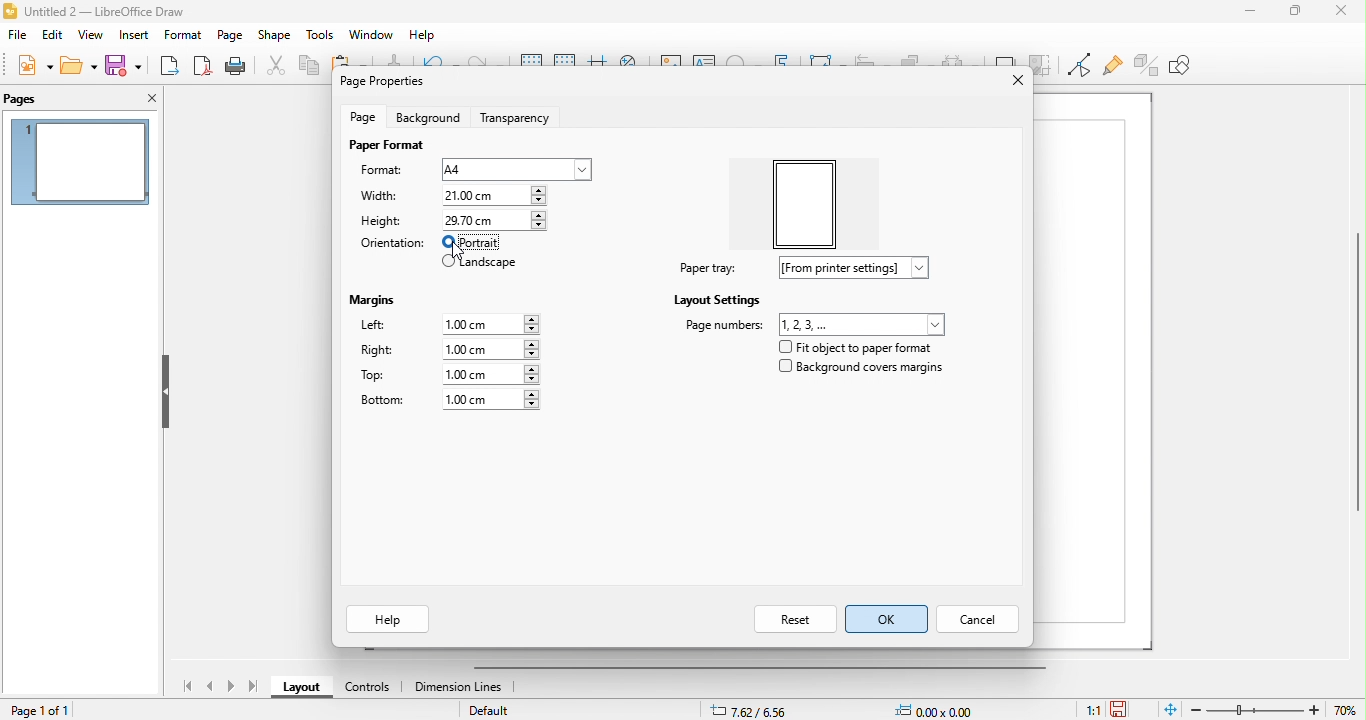 The image size is (1366, 720). What do you see at coordinates (444, 401) in the screenshot?
I see `bottom` at bounding box center [444, 401].